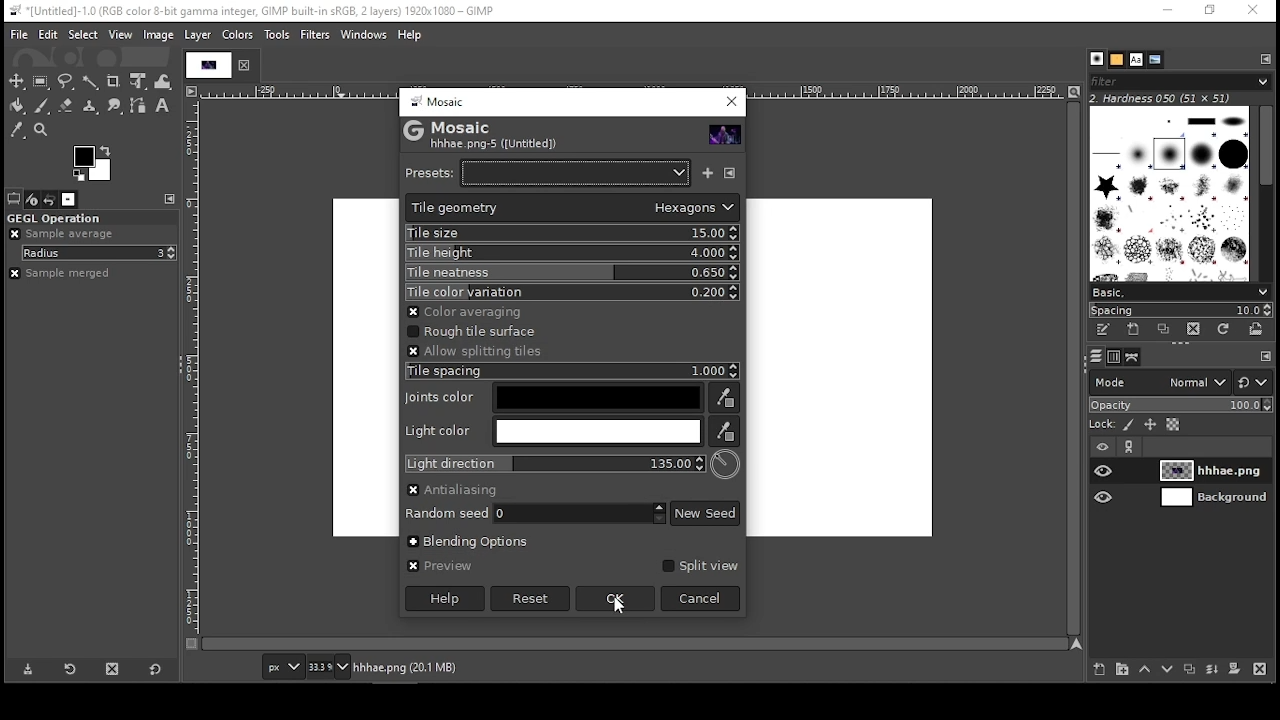 The width and height of the screenshot is (1280, 720). What do you see at coordinates (456, 490) in the screenshot?
I see `anti aliasing` at bounding box center [456, 490].